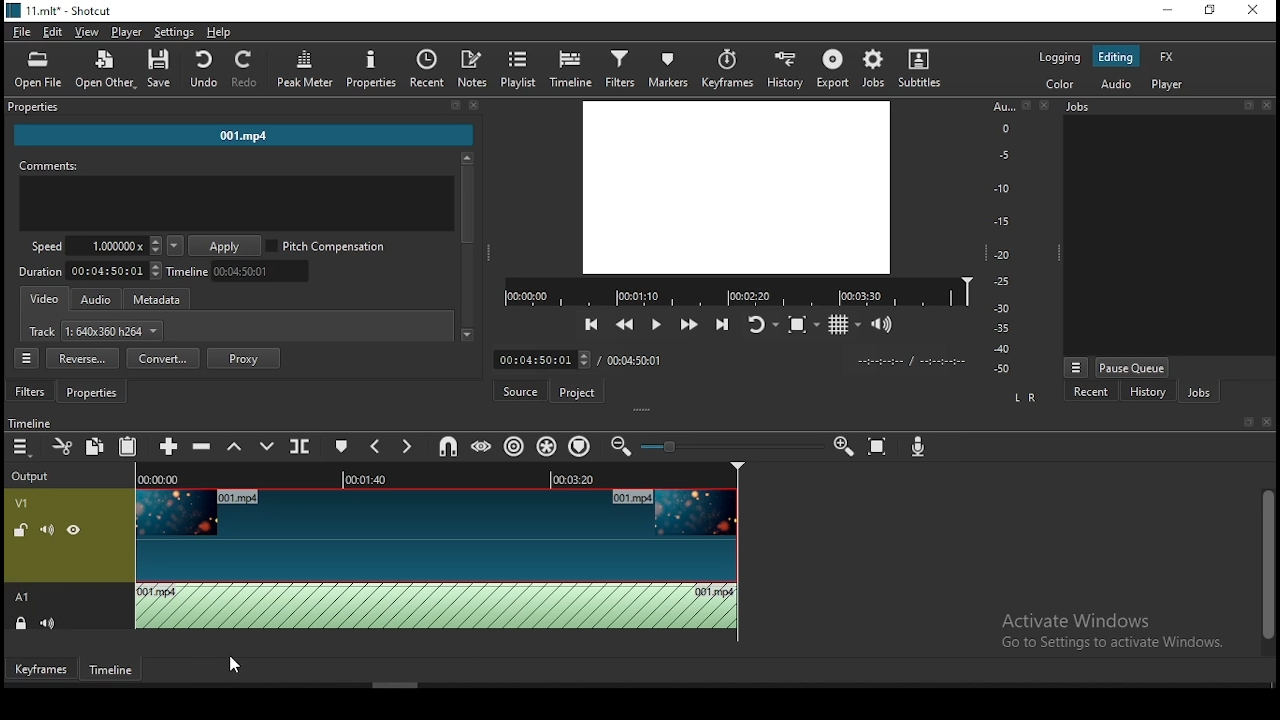 The image size is (1280, 720). Describe the element at coordinates (688, 324) in the screenshot. I see `play quickly forwards` at that location.